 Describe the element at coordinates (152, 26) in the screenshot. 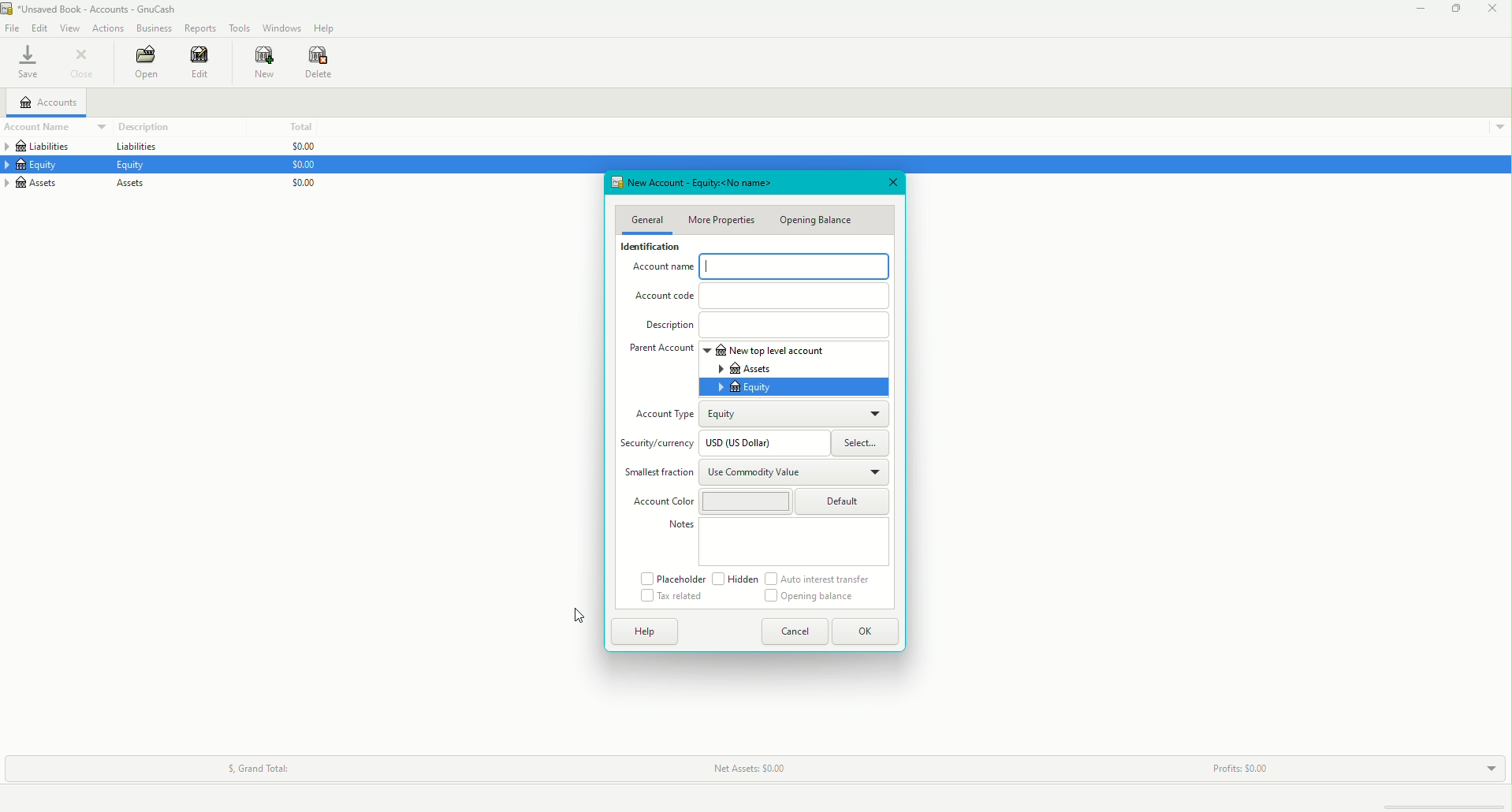

I see `Business` at that location.